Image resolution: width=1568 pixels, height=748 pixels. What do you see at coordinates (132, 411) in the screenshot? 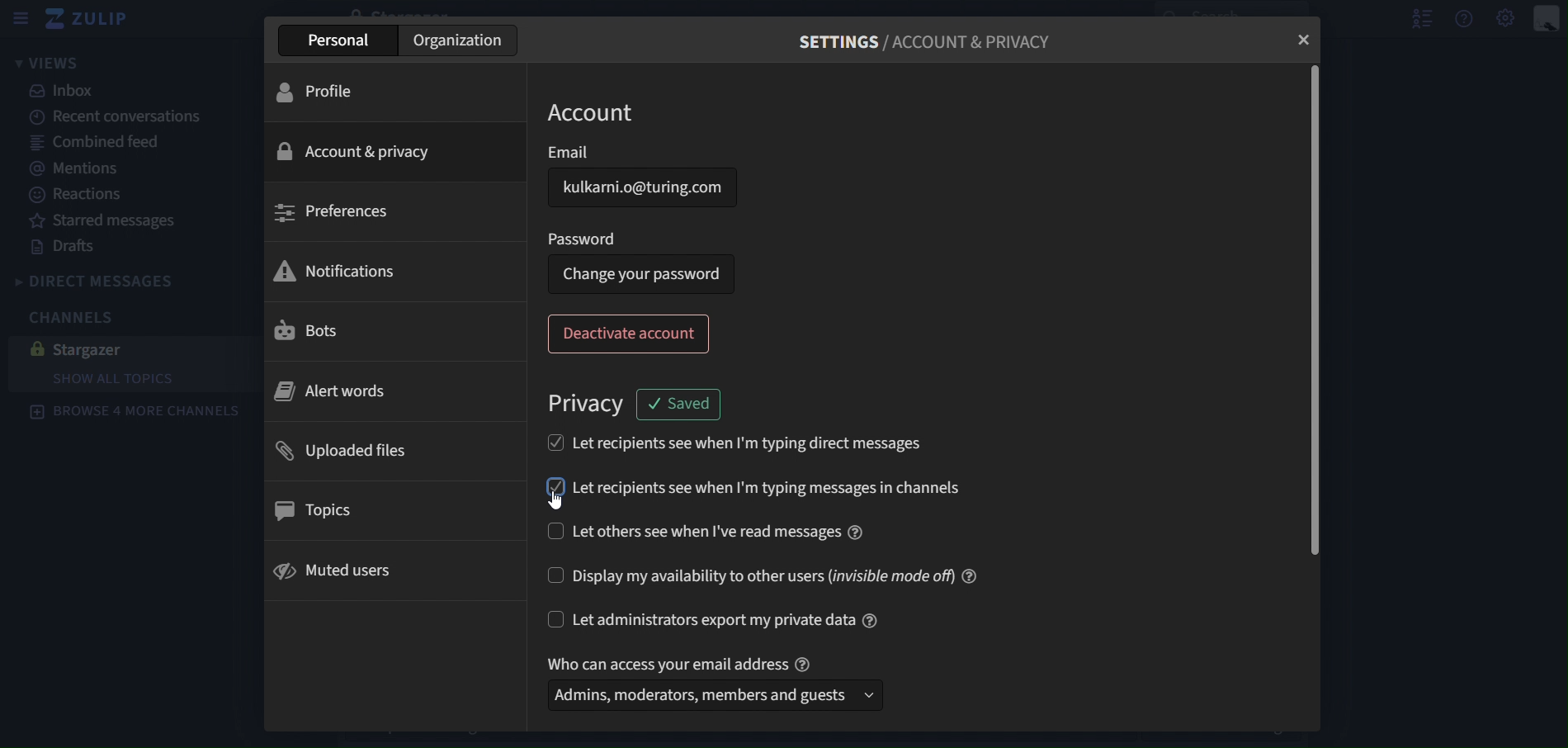
I see `browse 4 more channels` at bounding box center [132, 411].